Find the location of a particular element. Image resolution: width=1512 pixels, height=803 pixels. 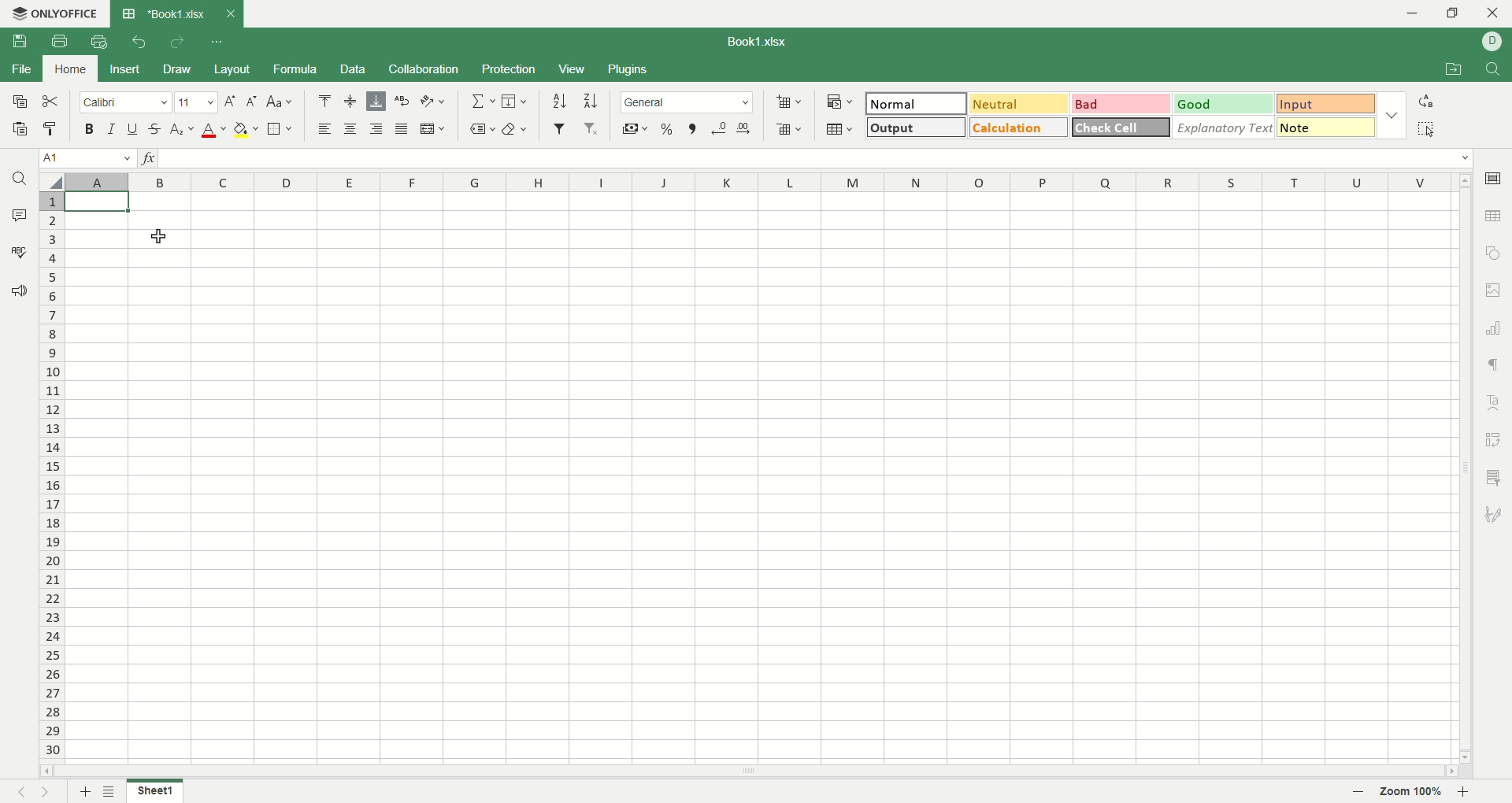

increase font size is located at coordinates (231, 102).